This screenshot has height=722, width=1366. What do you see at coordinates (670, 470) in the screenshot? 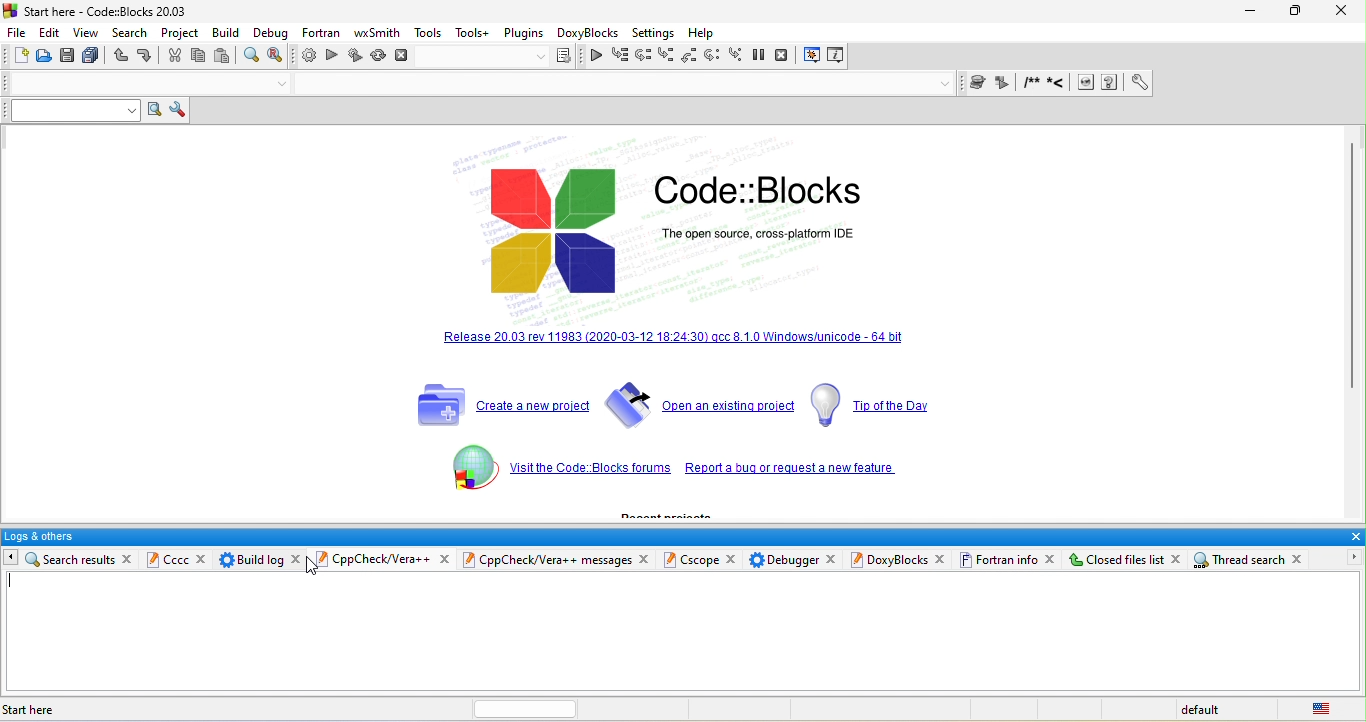
I see `visit the code blocks forums report a bug or request a new feature` at bounding box center [670, 470].